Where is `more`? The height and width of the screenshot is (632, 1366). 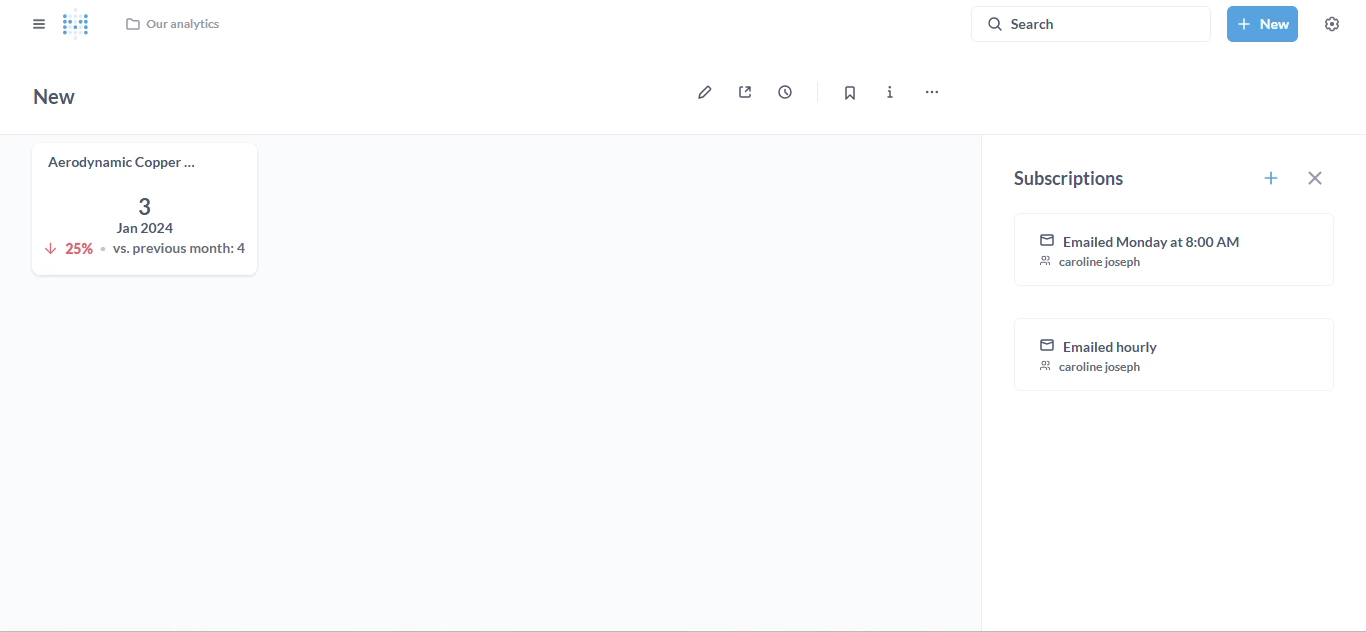
more is located at coordinates (930, 93).